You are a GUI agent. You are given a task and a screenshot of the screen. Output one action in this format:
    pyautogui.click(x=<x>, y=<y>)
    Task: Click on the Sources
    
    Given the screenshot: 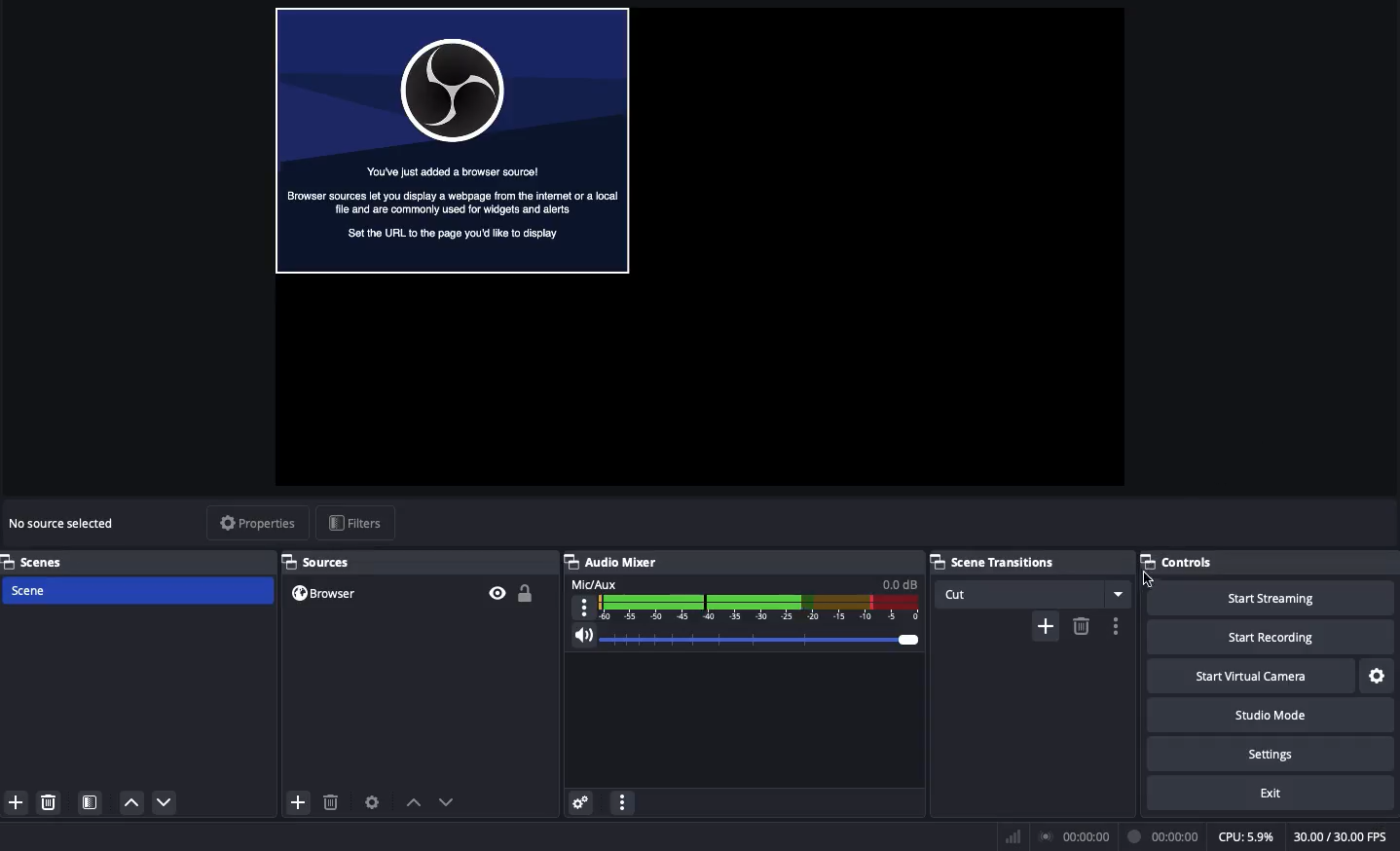 What is the action you would take?
    pyautogui.click(x=317, y=562)
    